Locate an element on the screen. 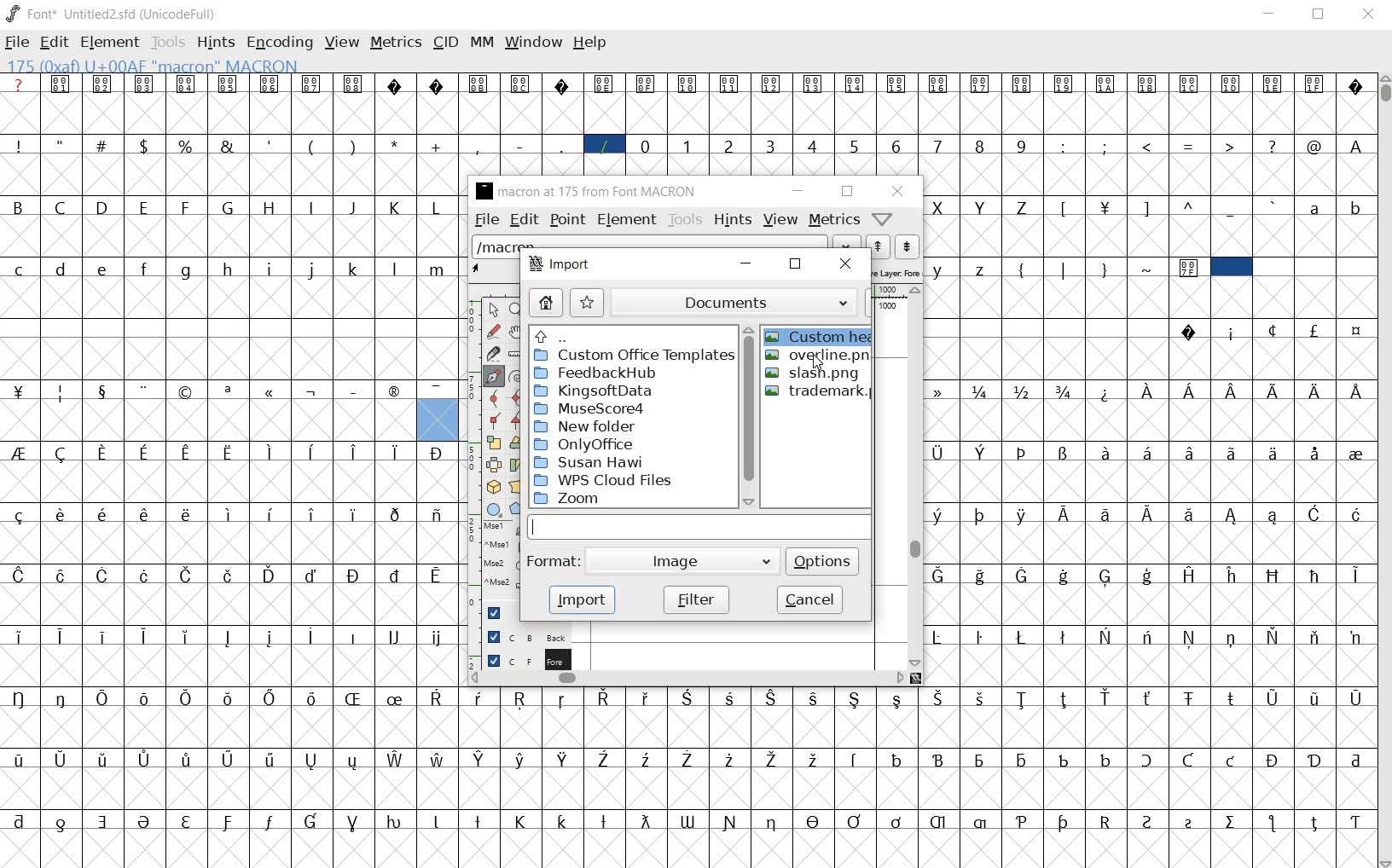 Image resolution: width=1392 pixels, height=868 pixels. ! is located at coordinates (19, 145).